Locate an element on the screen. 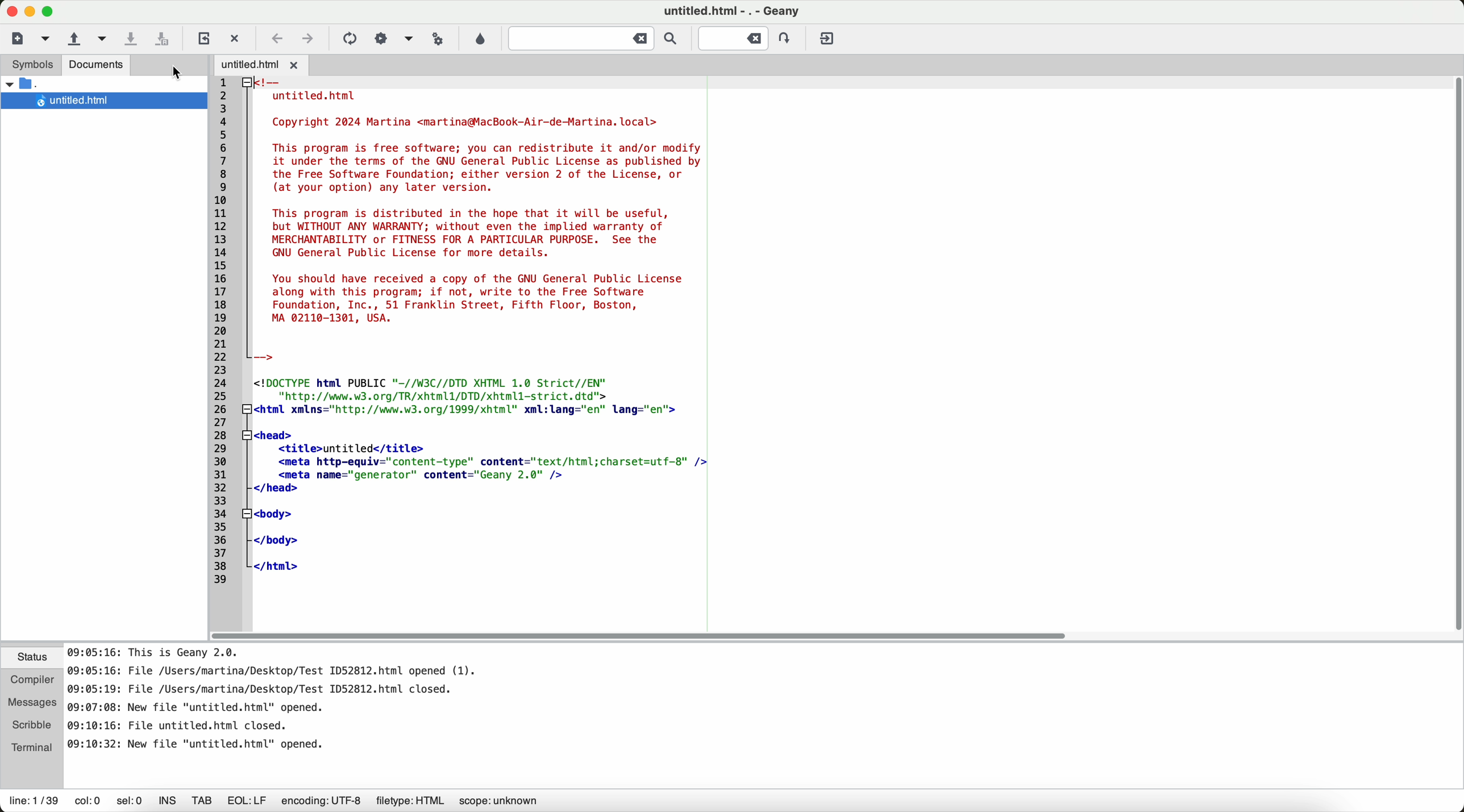  save the current file is located at coordinates (132, 39).